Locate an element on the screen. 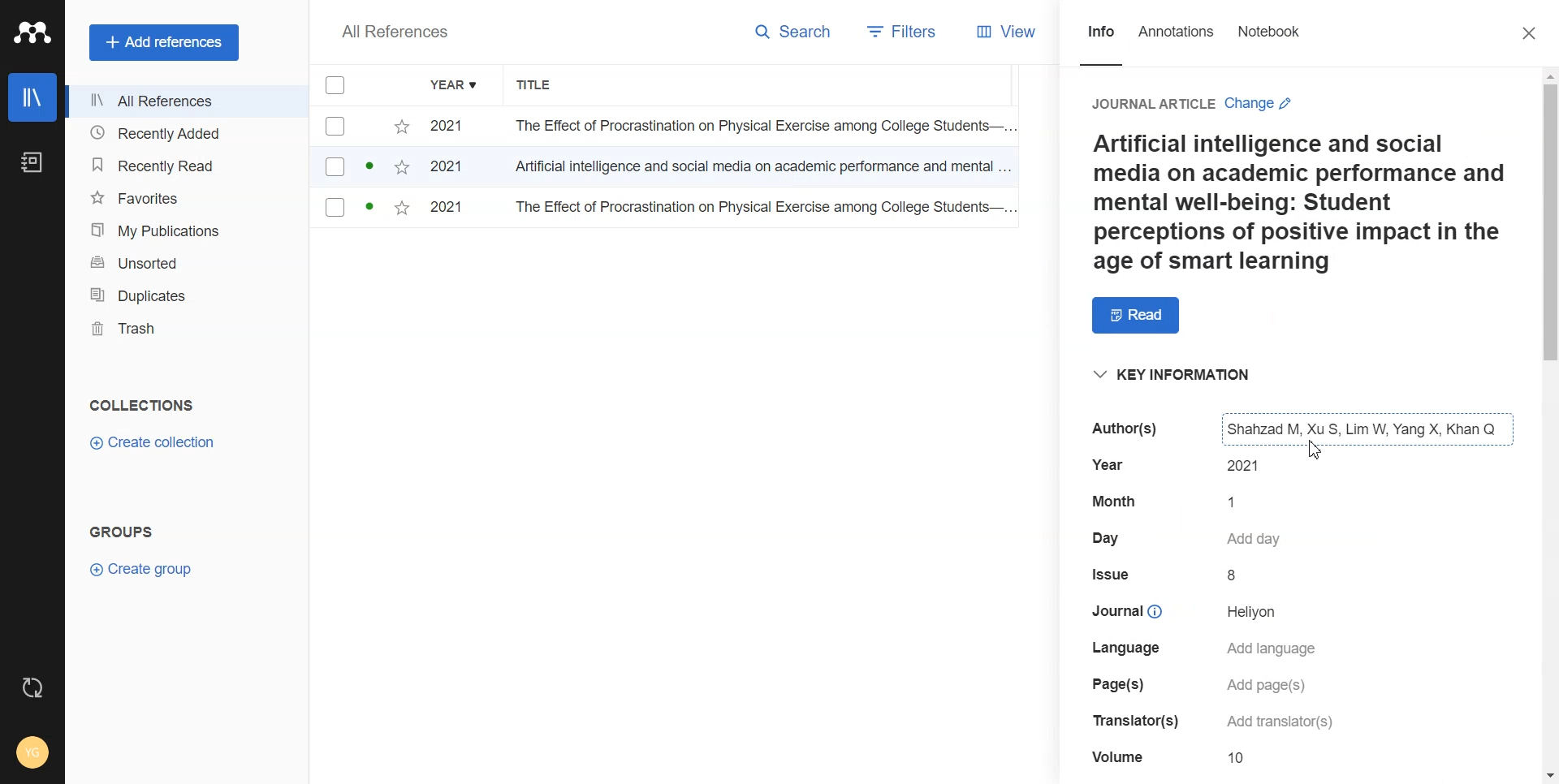  The Effect of Procrastination on Physical Exercise among College Students... is located at coordinates (758, 127).